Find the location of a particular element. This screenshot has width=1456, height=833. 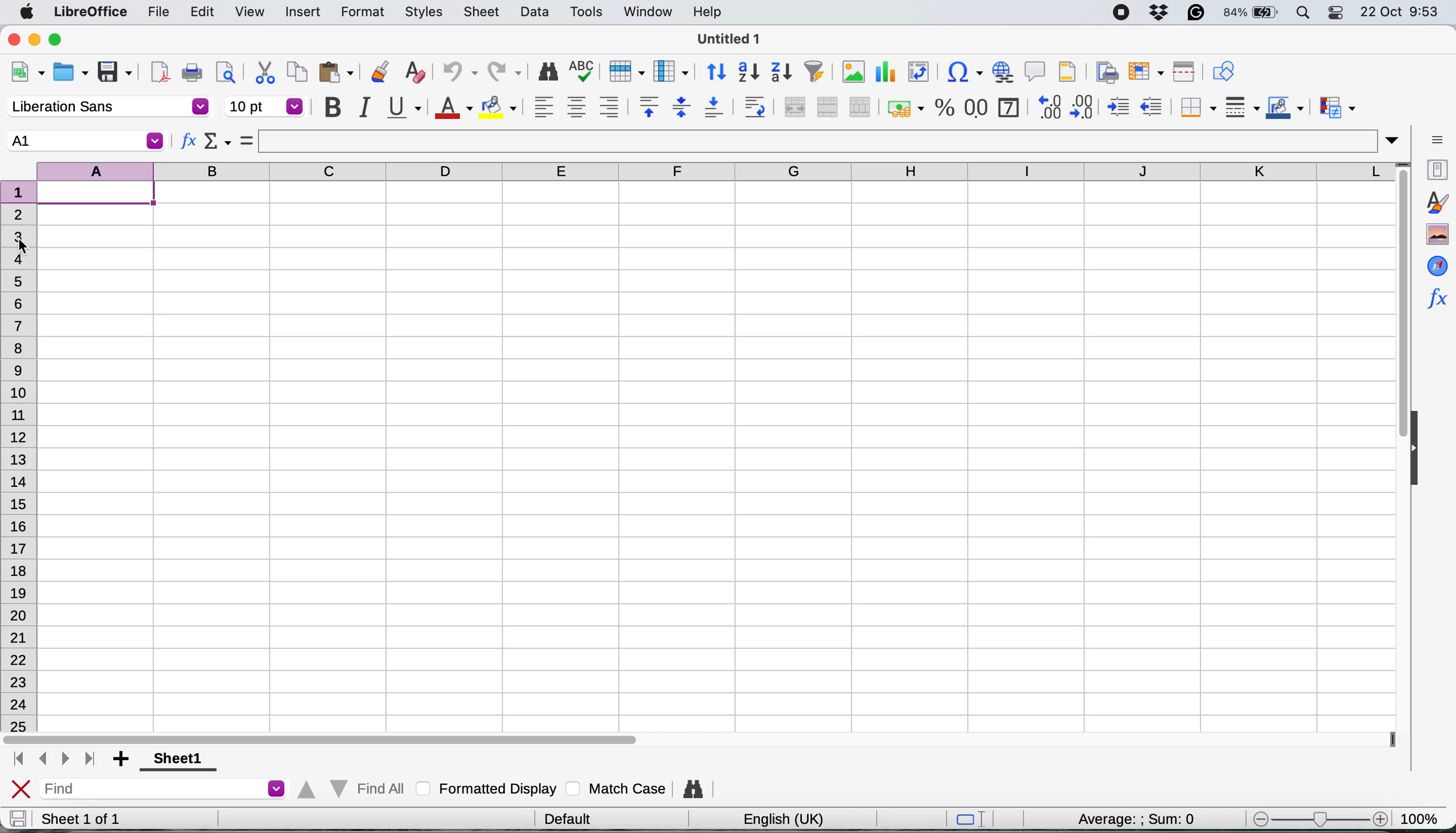

columns is located at coordinates (718, 169).